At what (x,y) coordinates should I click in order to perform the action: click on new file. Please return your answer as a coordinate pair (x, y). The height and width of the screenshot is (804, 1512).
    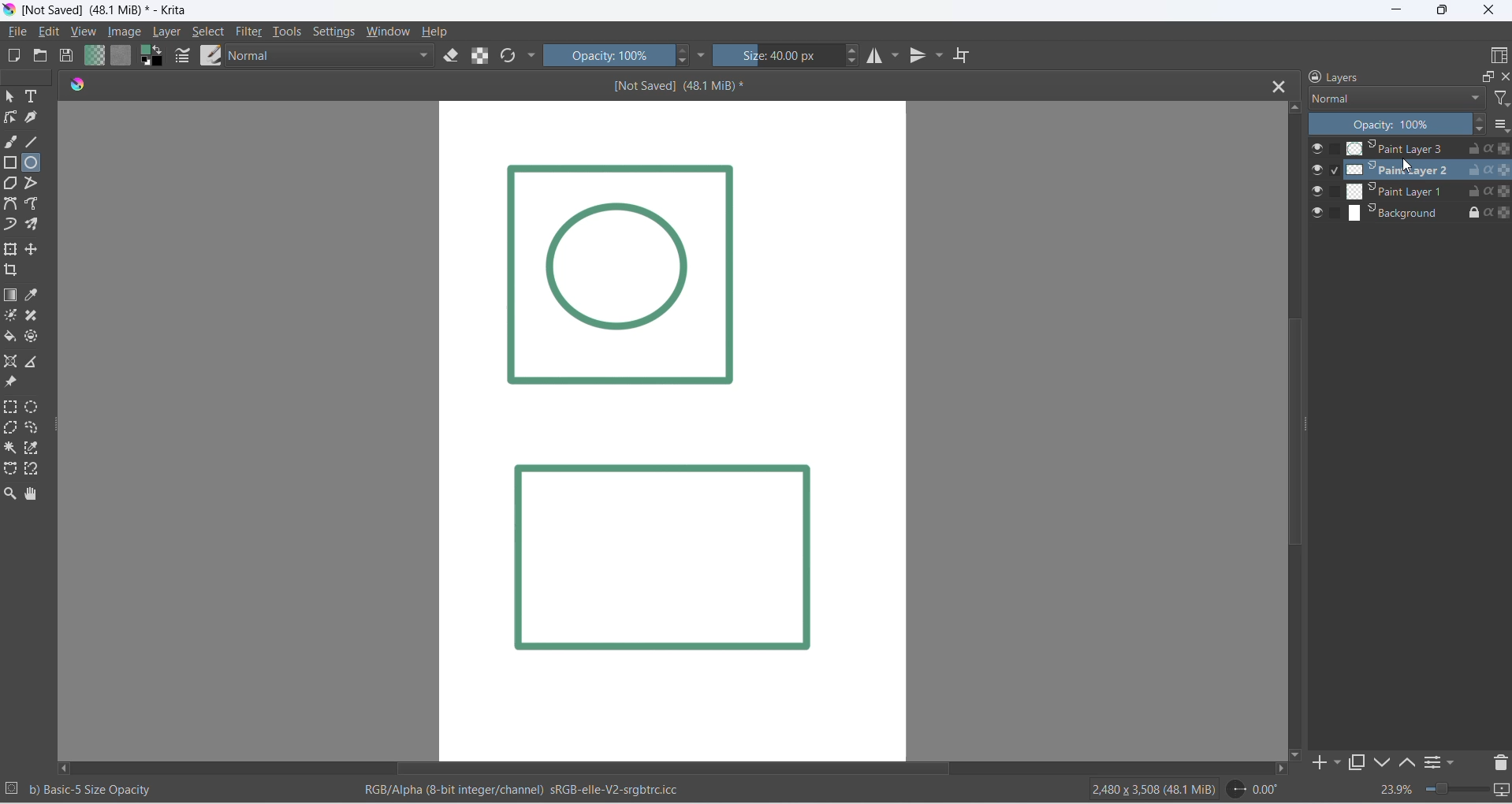
    Looking at the image, I should click on (18, 55).